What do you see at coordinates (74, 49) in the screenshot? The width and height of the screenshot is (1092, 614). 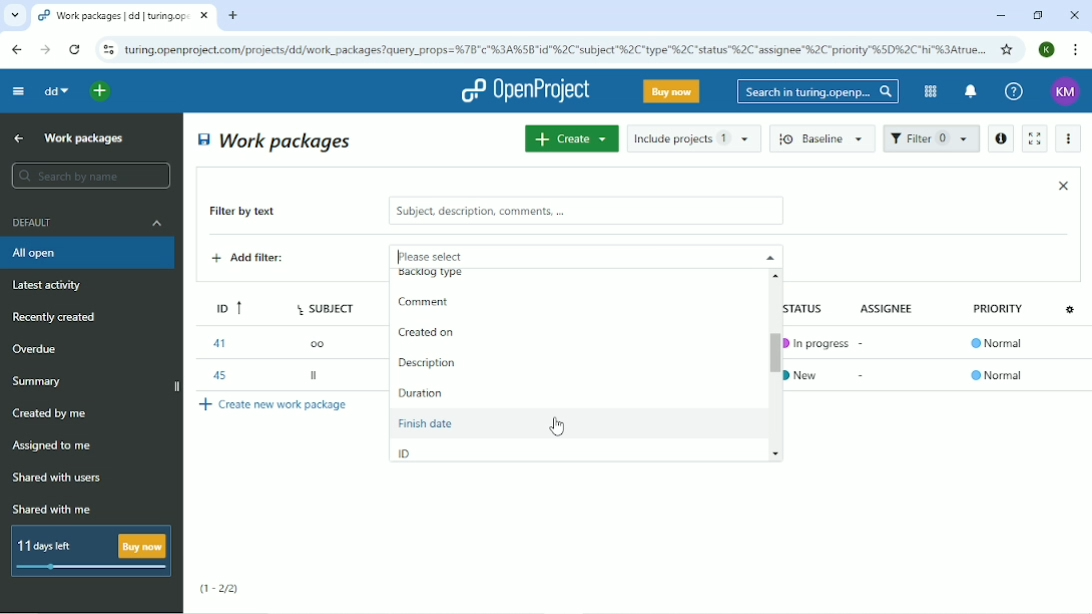 I see `Reload this page` at bounding box center [74, 49].